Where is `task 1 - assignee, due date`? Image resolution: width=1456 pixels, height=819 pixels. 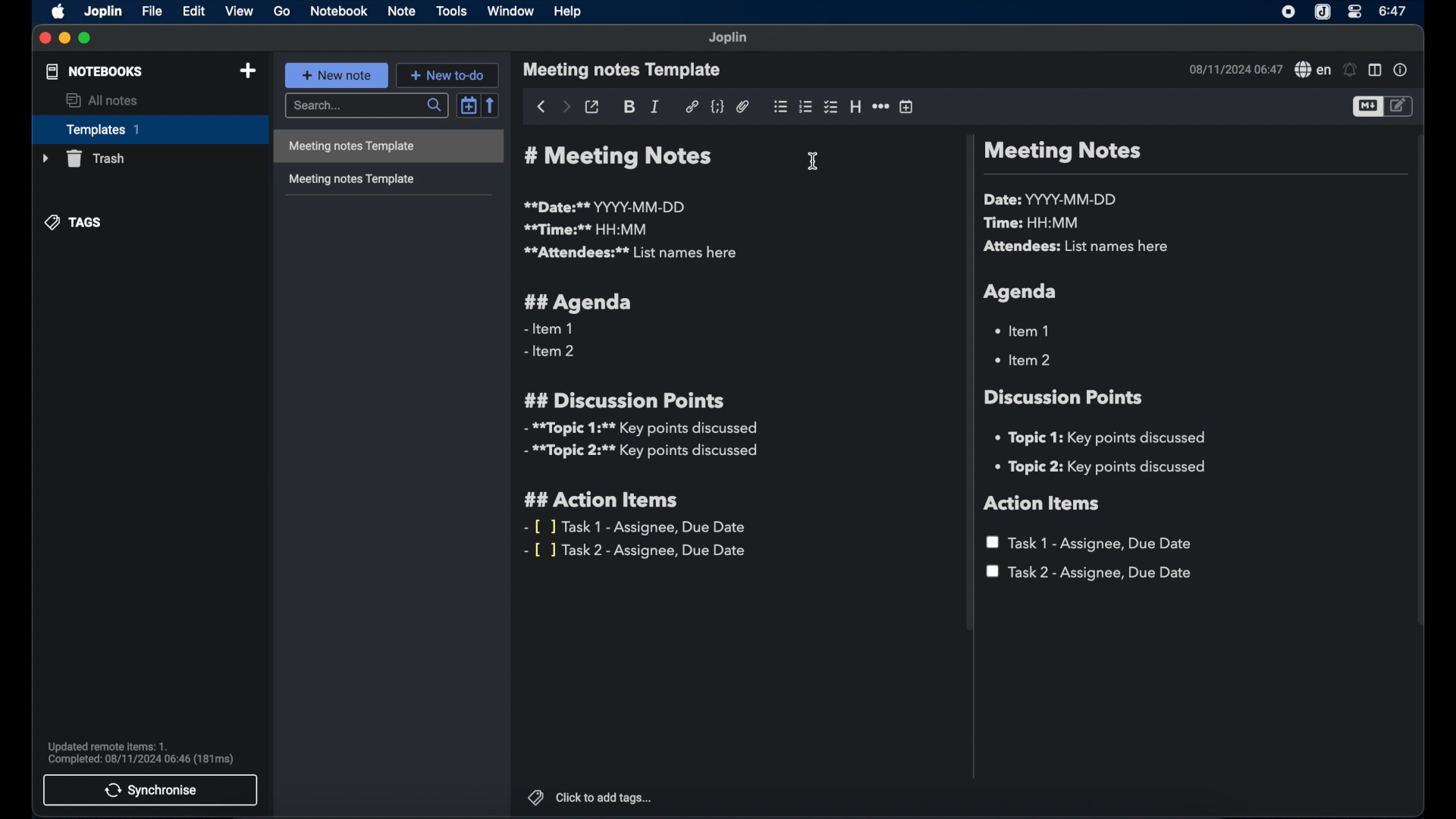 task 1 - assignee, due date is located at coordinates (1092, 543).